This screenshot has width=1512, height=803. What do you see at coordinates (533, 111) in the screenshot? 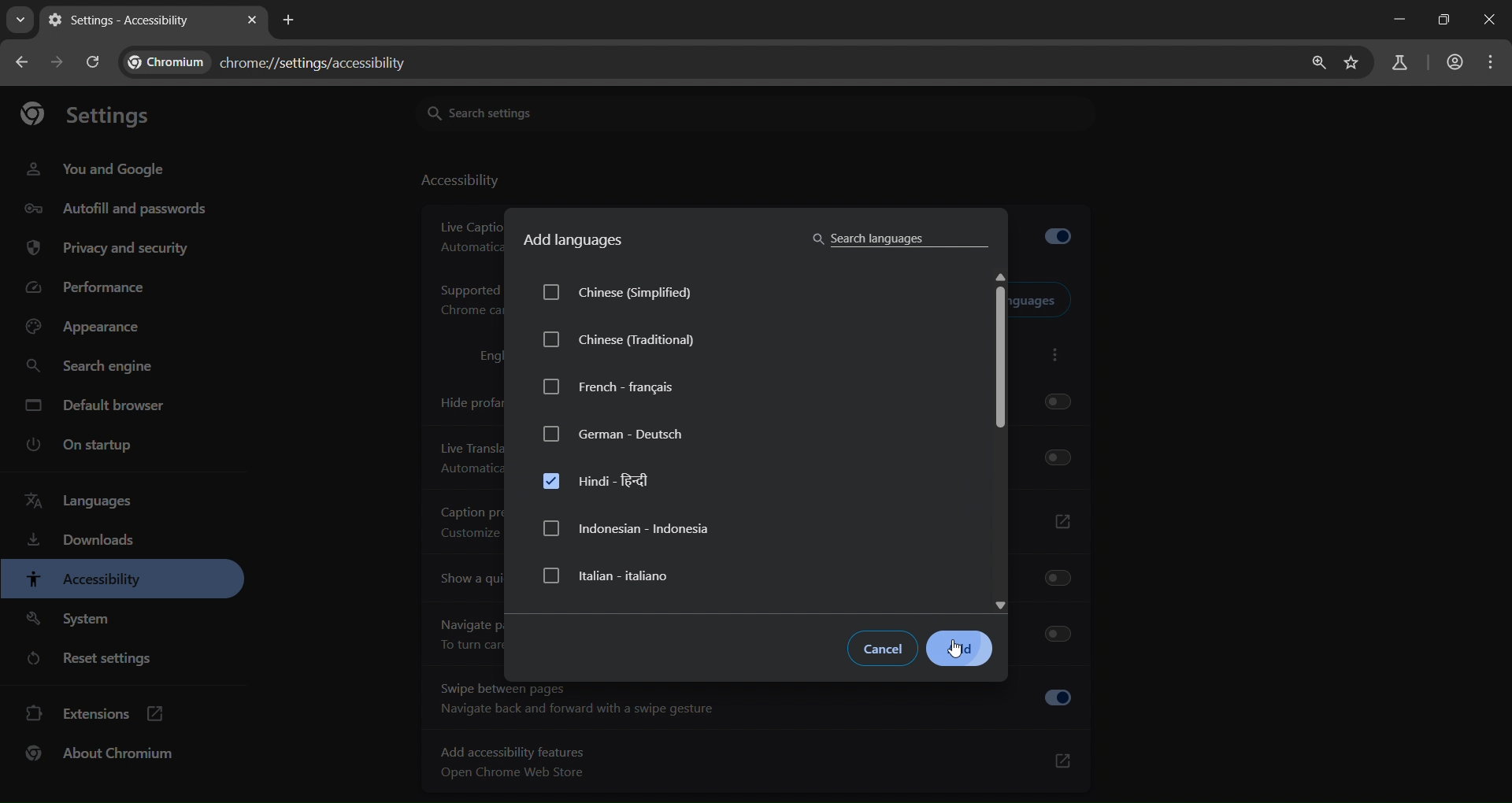
I see `search settings` at bounding box center [533, 111].